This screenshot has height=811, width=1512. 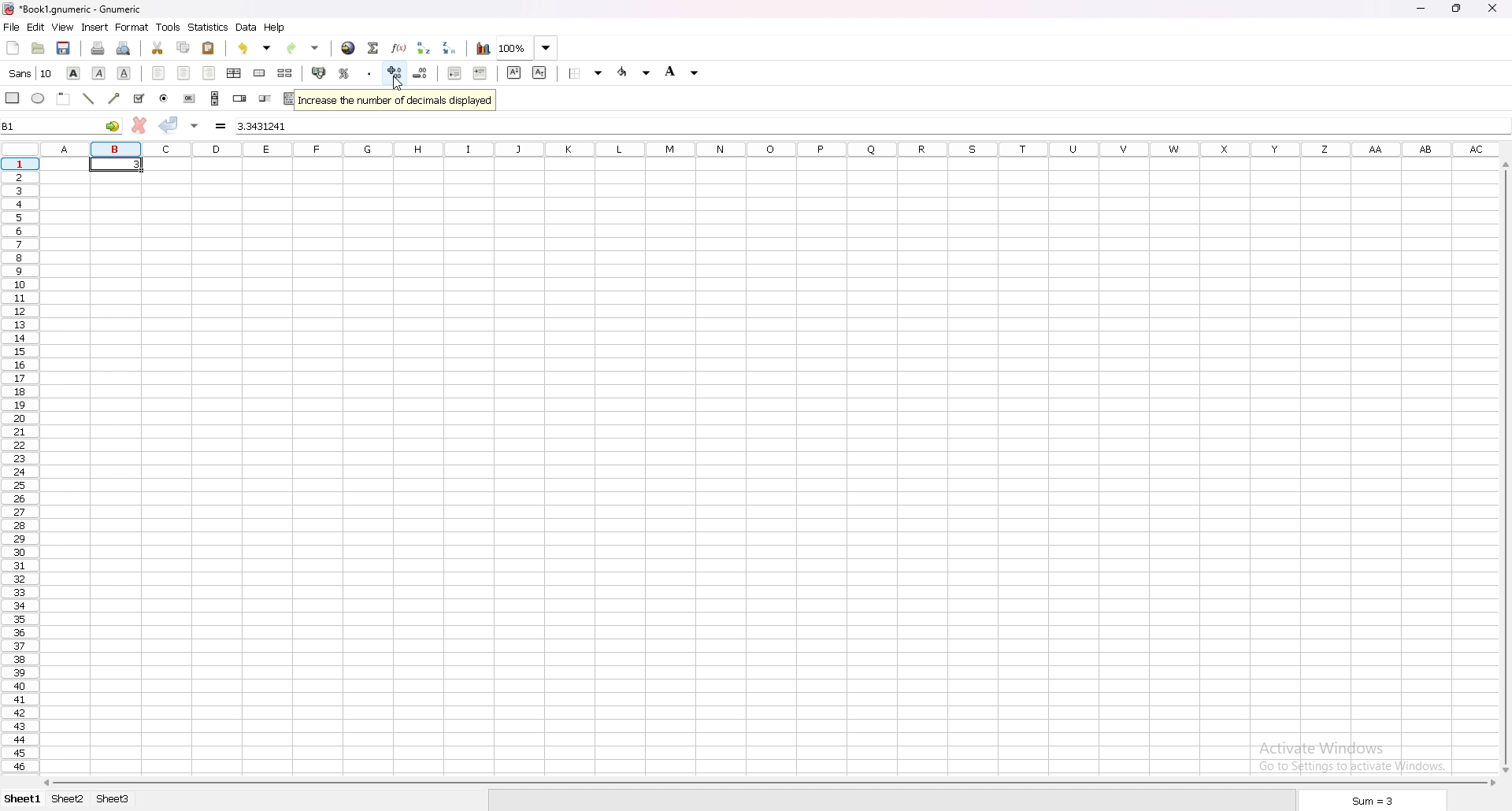 I want to click on open, so click(x=39, y=48).